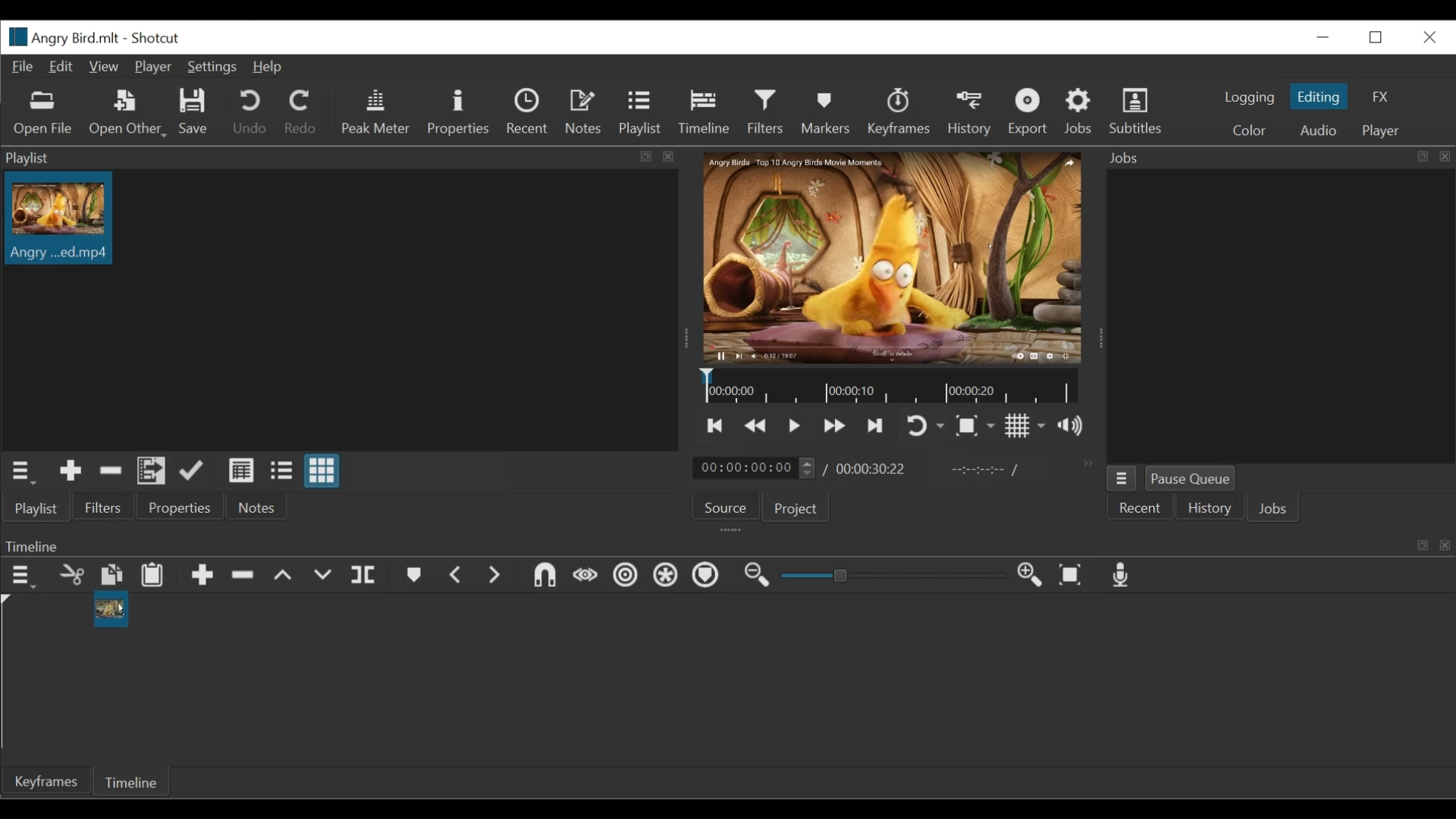 The height and width of the screenshot is (819, 1456). I want to click on FX, so click(1378, 96).